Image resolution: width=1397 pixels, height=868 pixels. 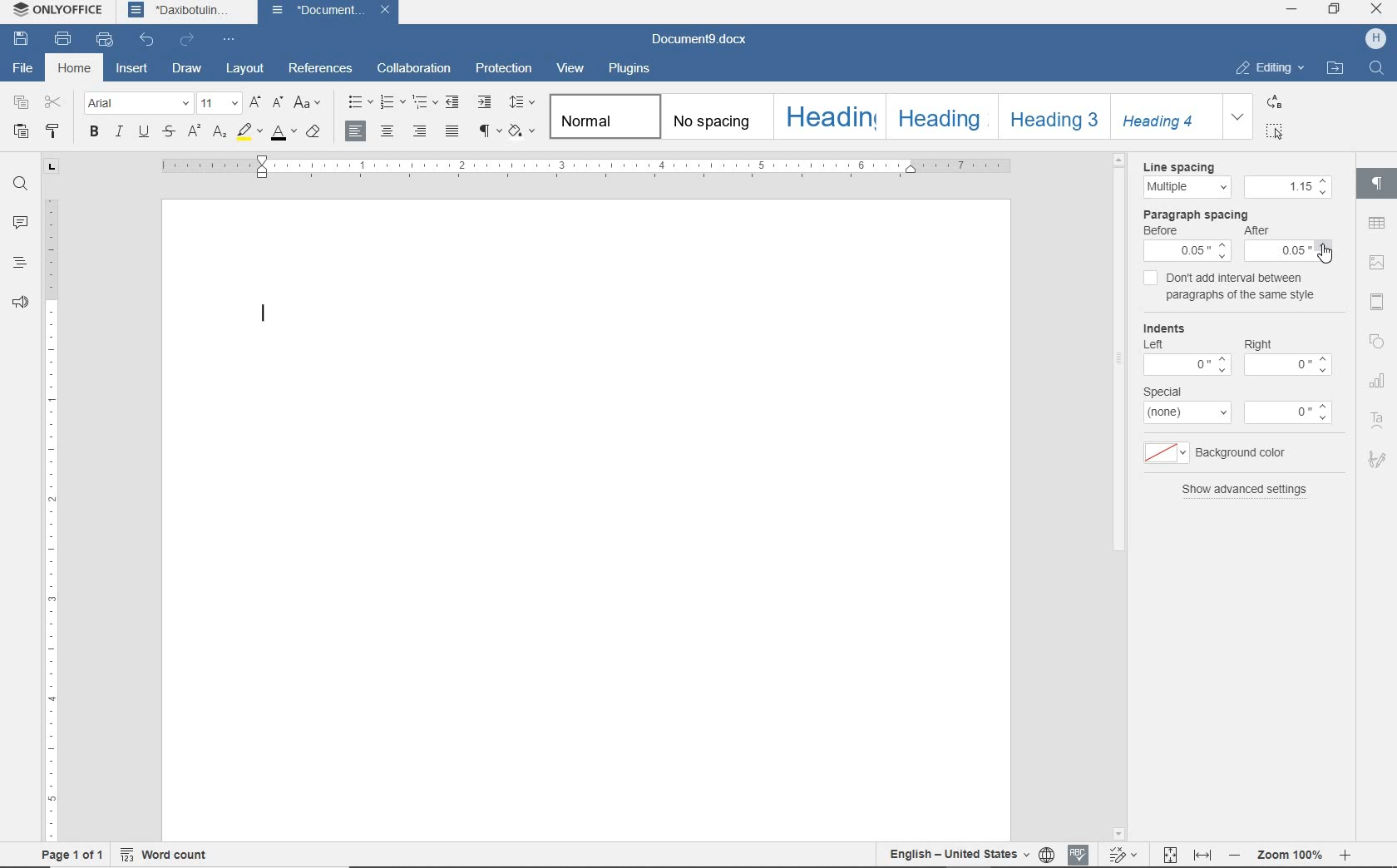 I want to click on references, so click(x=323, y=72).